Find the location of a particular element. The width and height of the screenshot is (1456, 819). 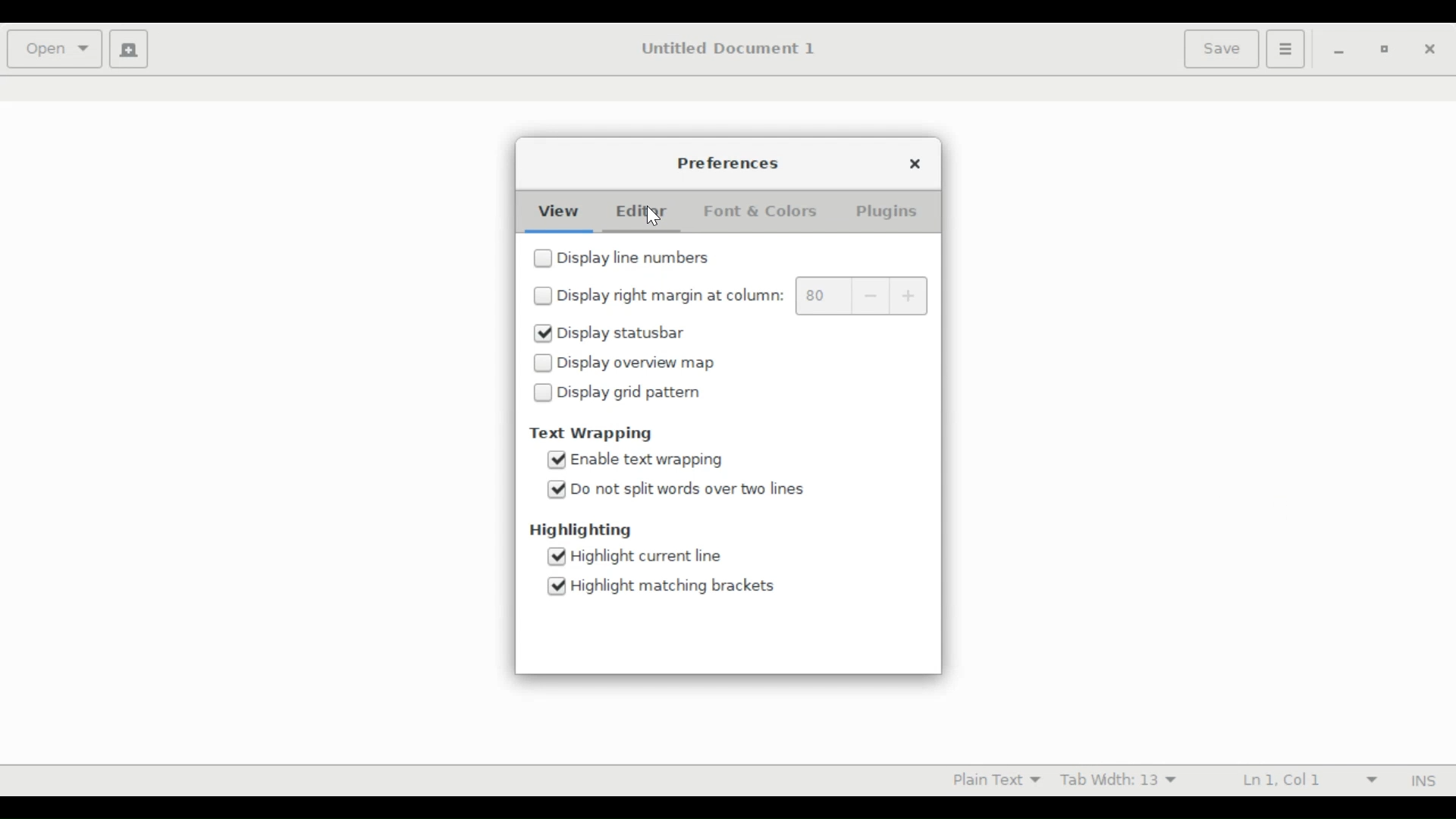

(un)check Display line numbers is located at coordinates (635, 258).